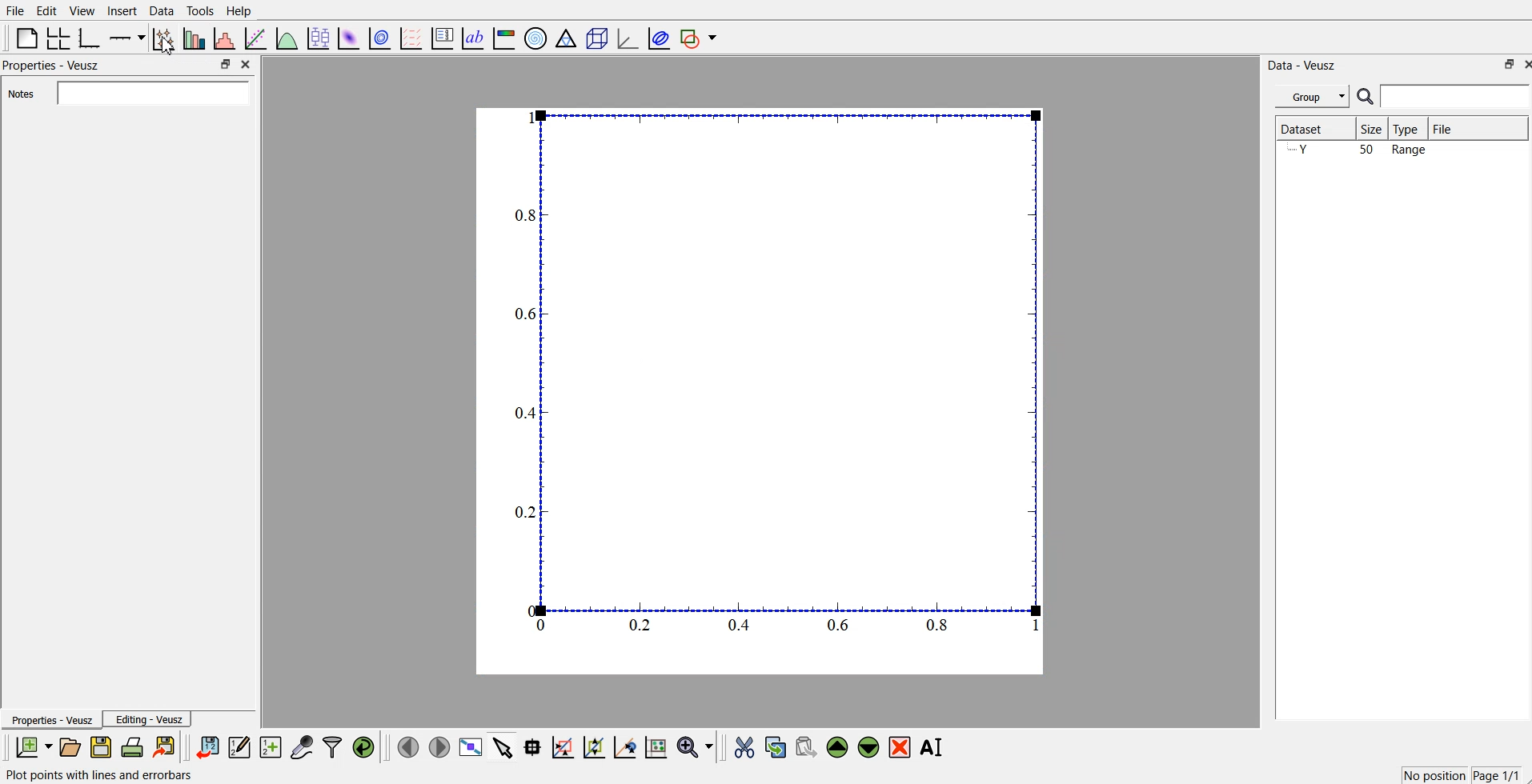 The image size is (1532, 784). Describe the element at coordinates (409, 746) in the screenshot. I see `move to previous page` at that location.